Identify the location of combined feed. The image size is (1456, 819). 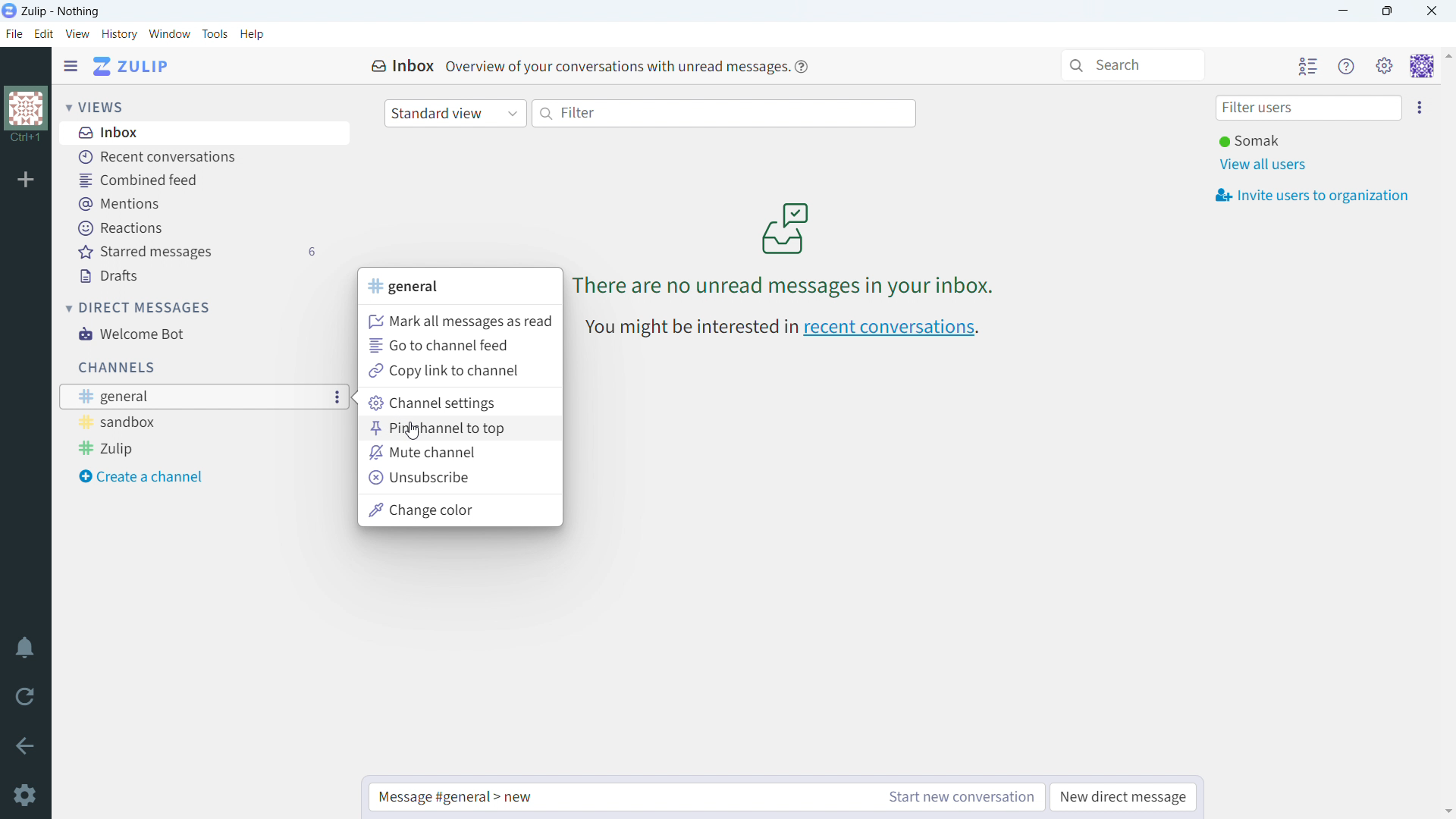
(194, 181).